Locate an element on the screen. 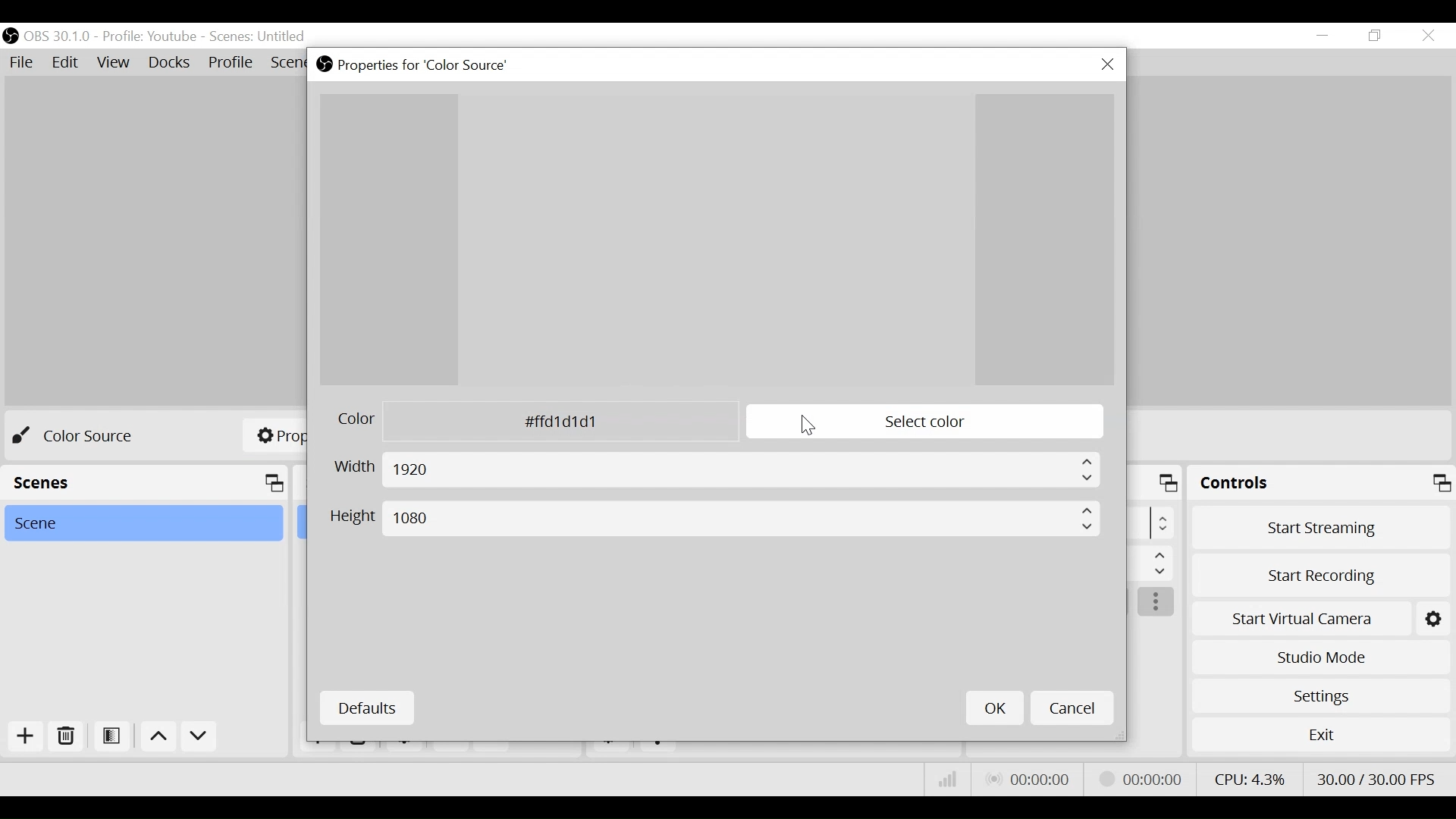 The image size is (1456, 819). OBS Studio Desktop icon is located at coordinates (325, 64).